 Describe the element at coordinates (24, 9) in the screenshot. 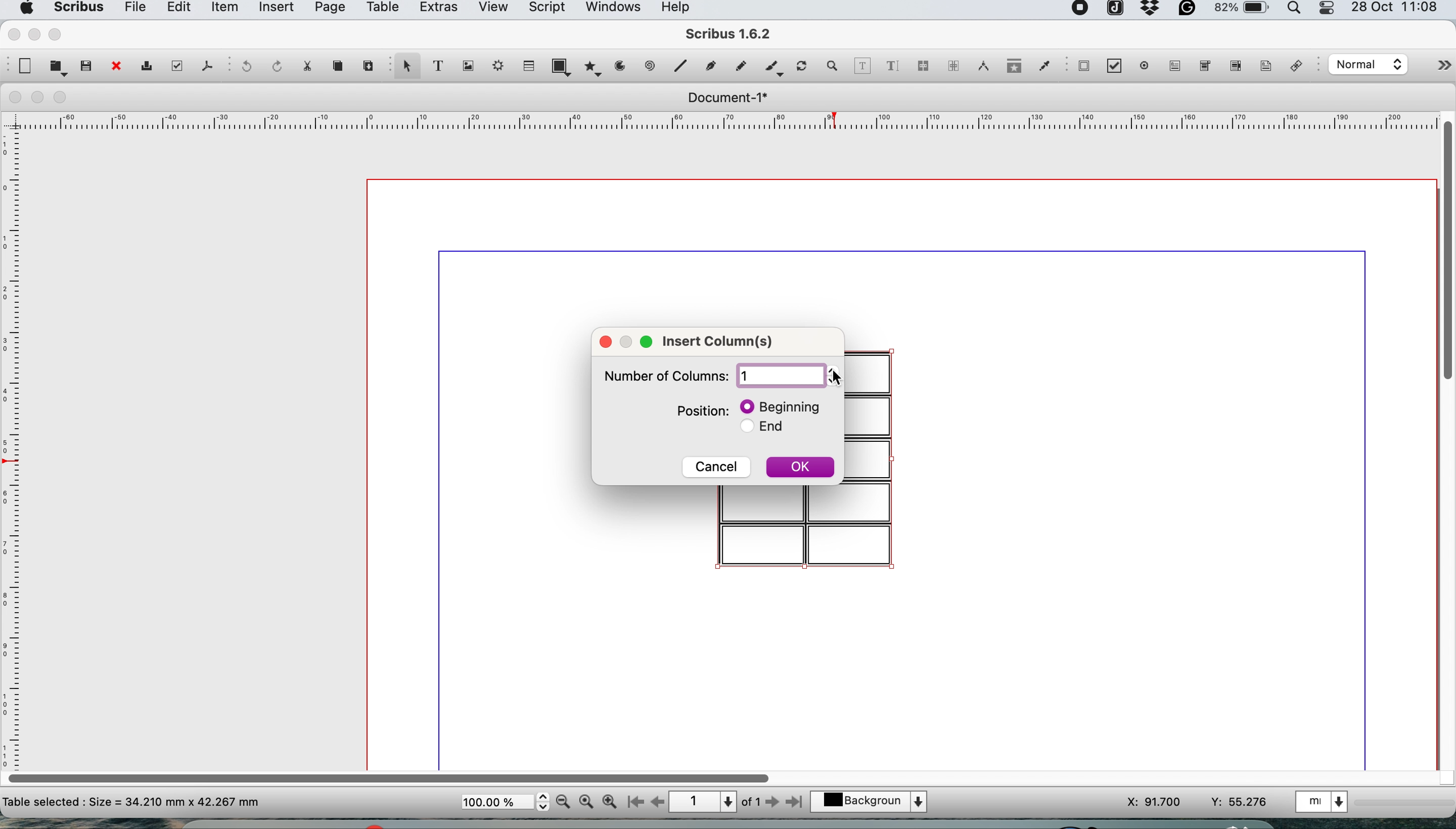

I see `system logo` at that location.